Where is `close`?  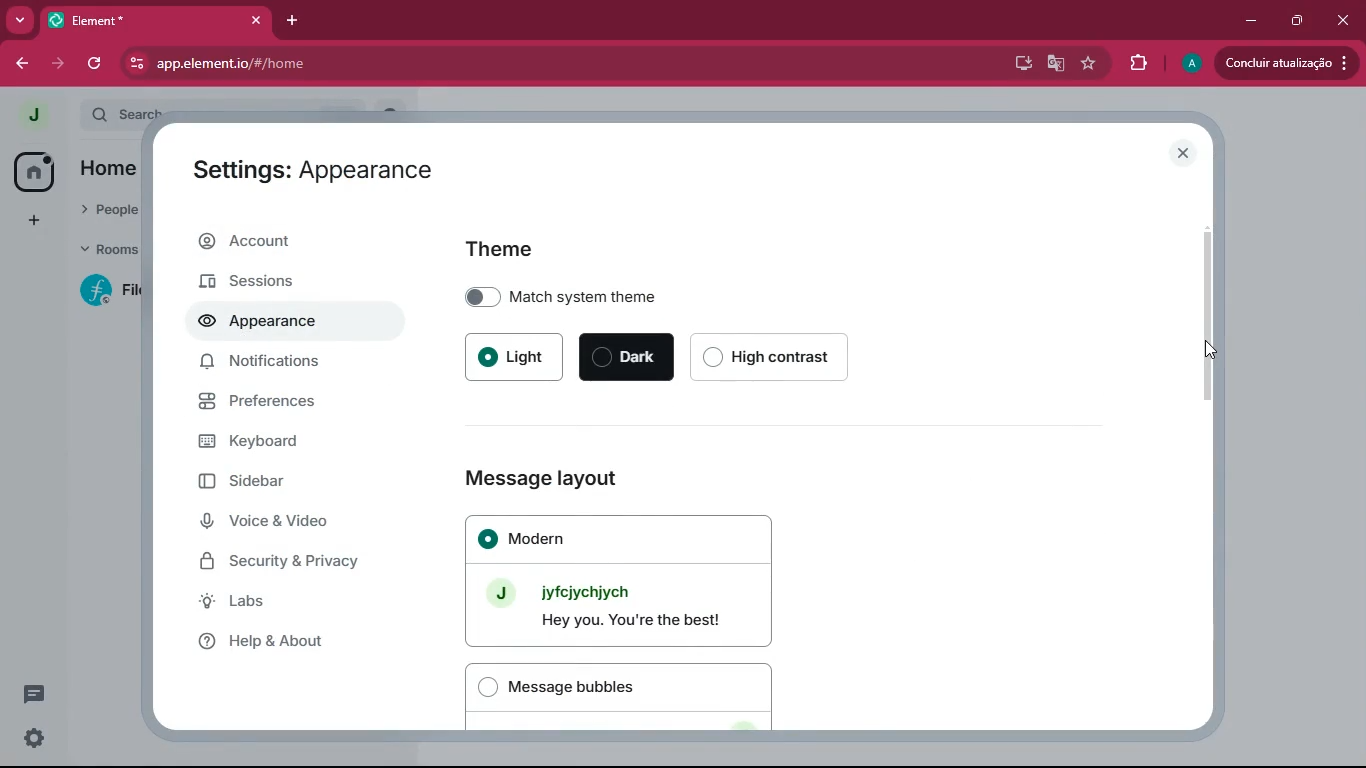
close is located at coordinates (1180, 151).